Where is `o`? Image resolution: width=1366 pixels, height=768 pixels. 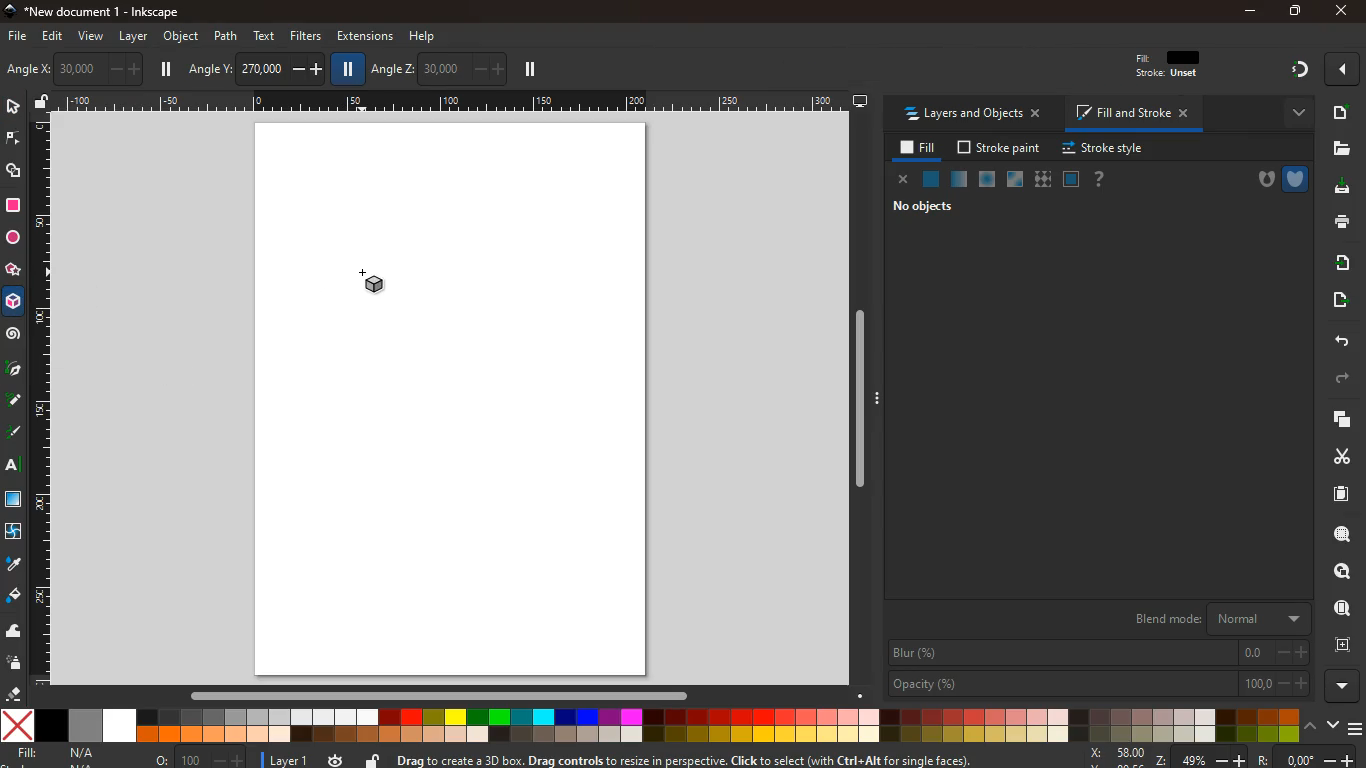 o is located at coordinates (196, 758).